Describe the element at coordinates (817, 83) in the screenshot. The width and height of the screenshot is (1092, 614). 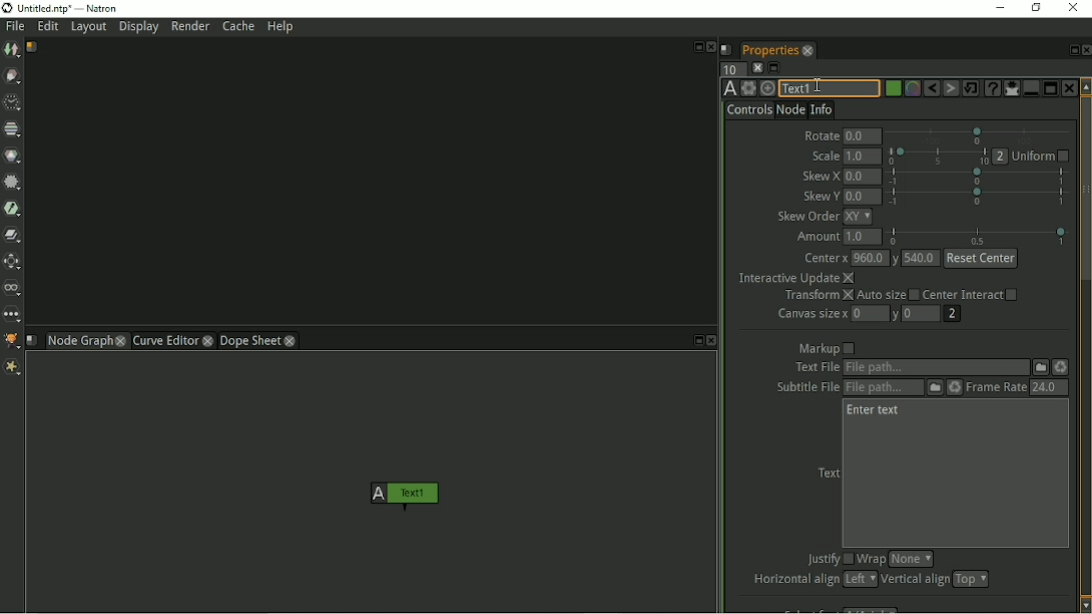
I see `cursor` at that location.